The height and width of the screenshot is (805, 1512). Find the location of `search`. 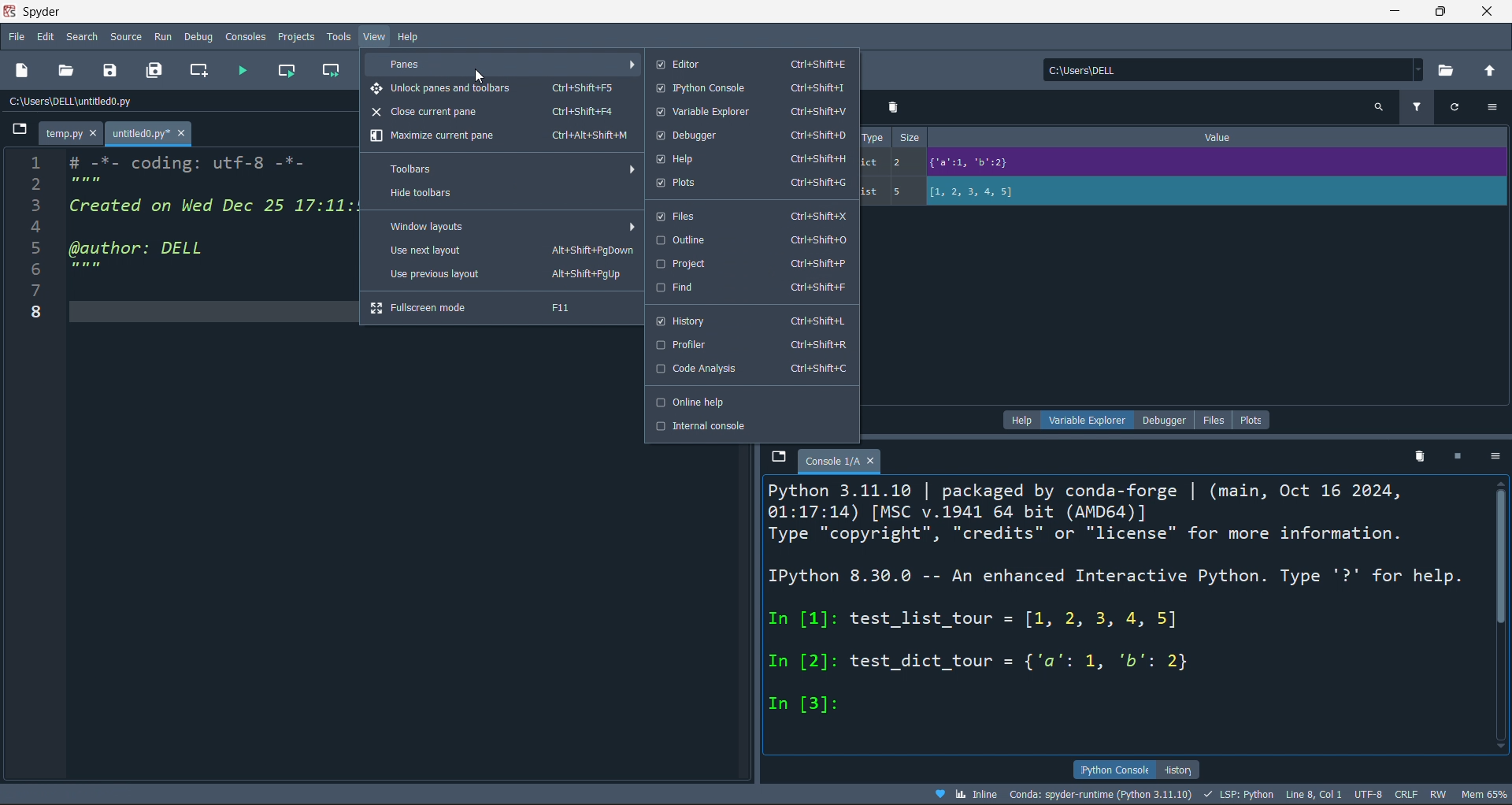

search is located at coordinates (80, 35).